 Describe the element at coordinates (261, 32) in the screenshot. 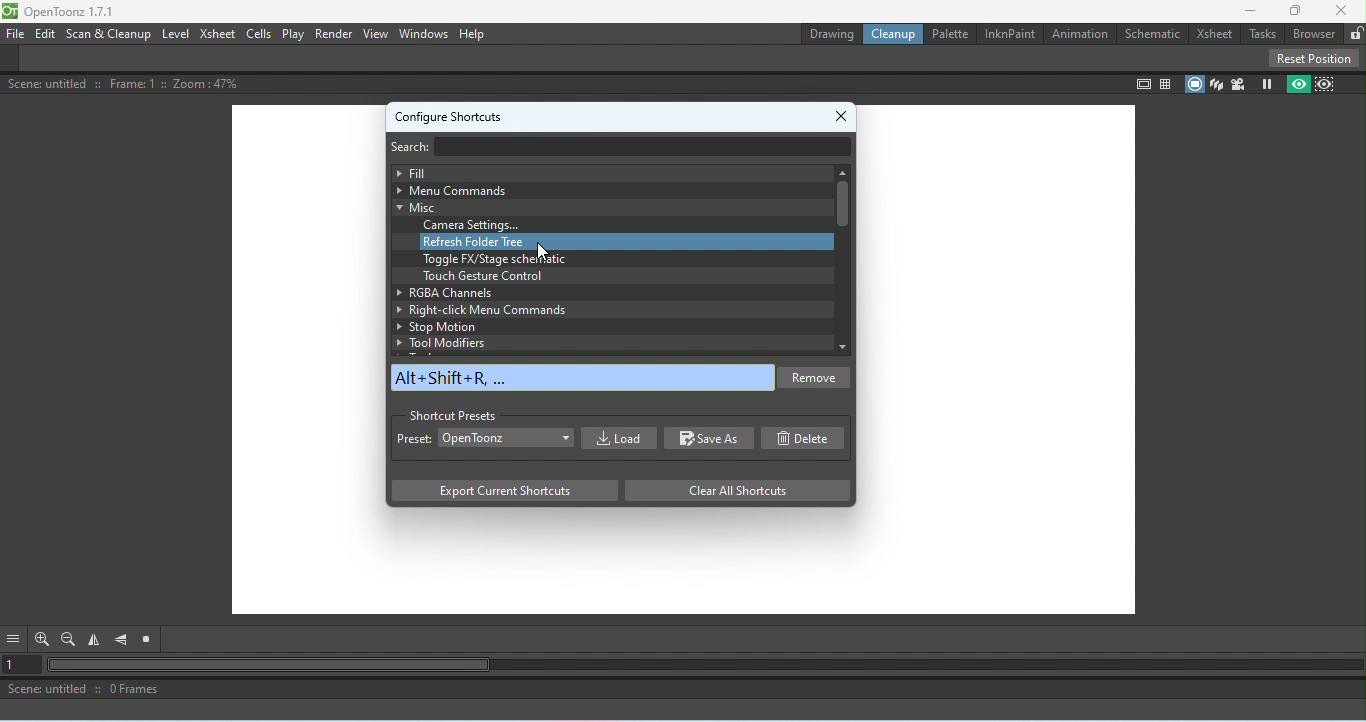

I see `Cells` at that location.